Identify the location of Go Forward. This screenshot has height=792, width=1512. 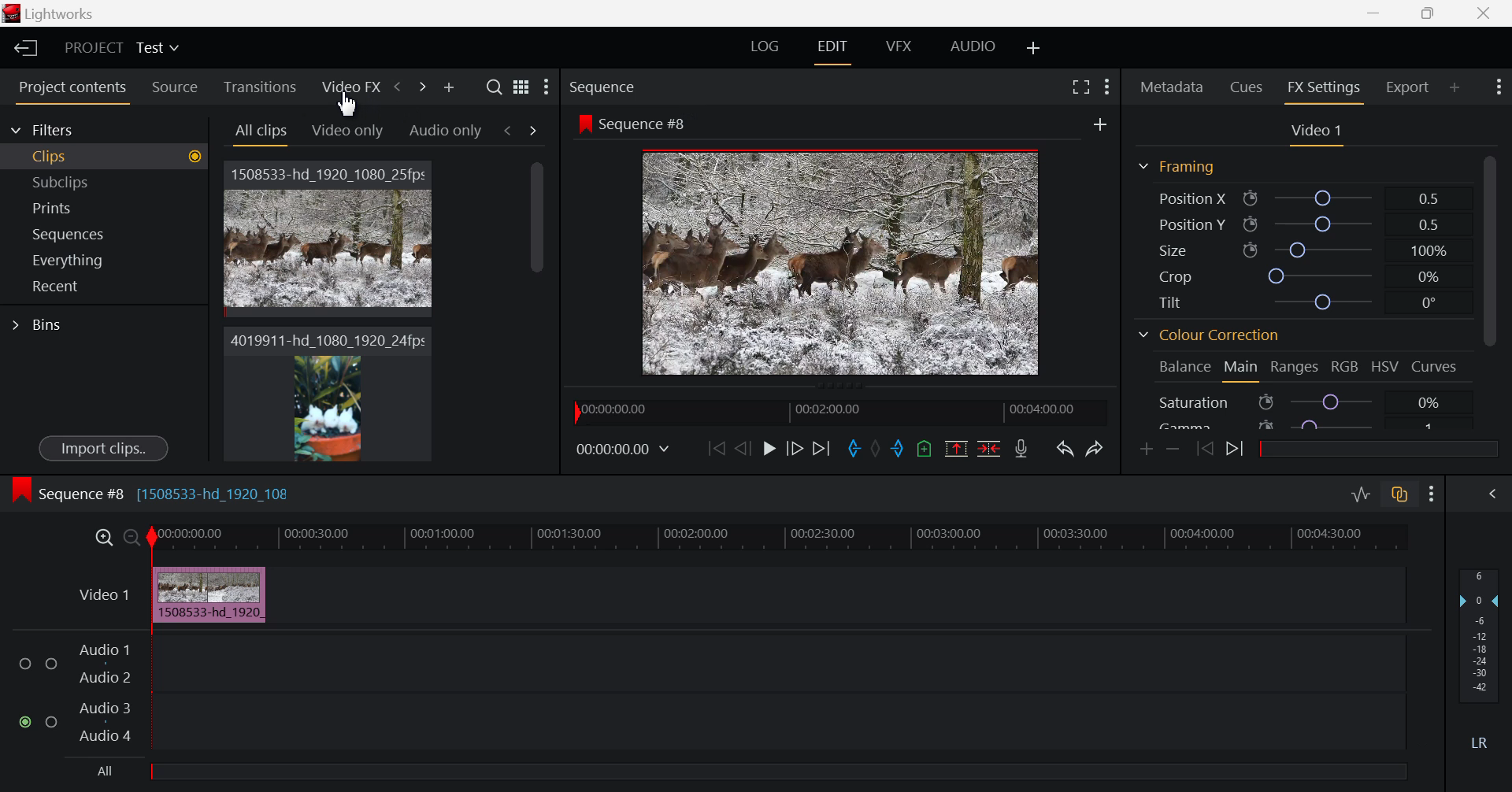
(798, 451).